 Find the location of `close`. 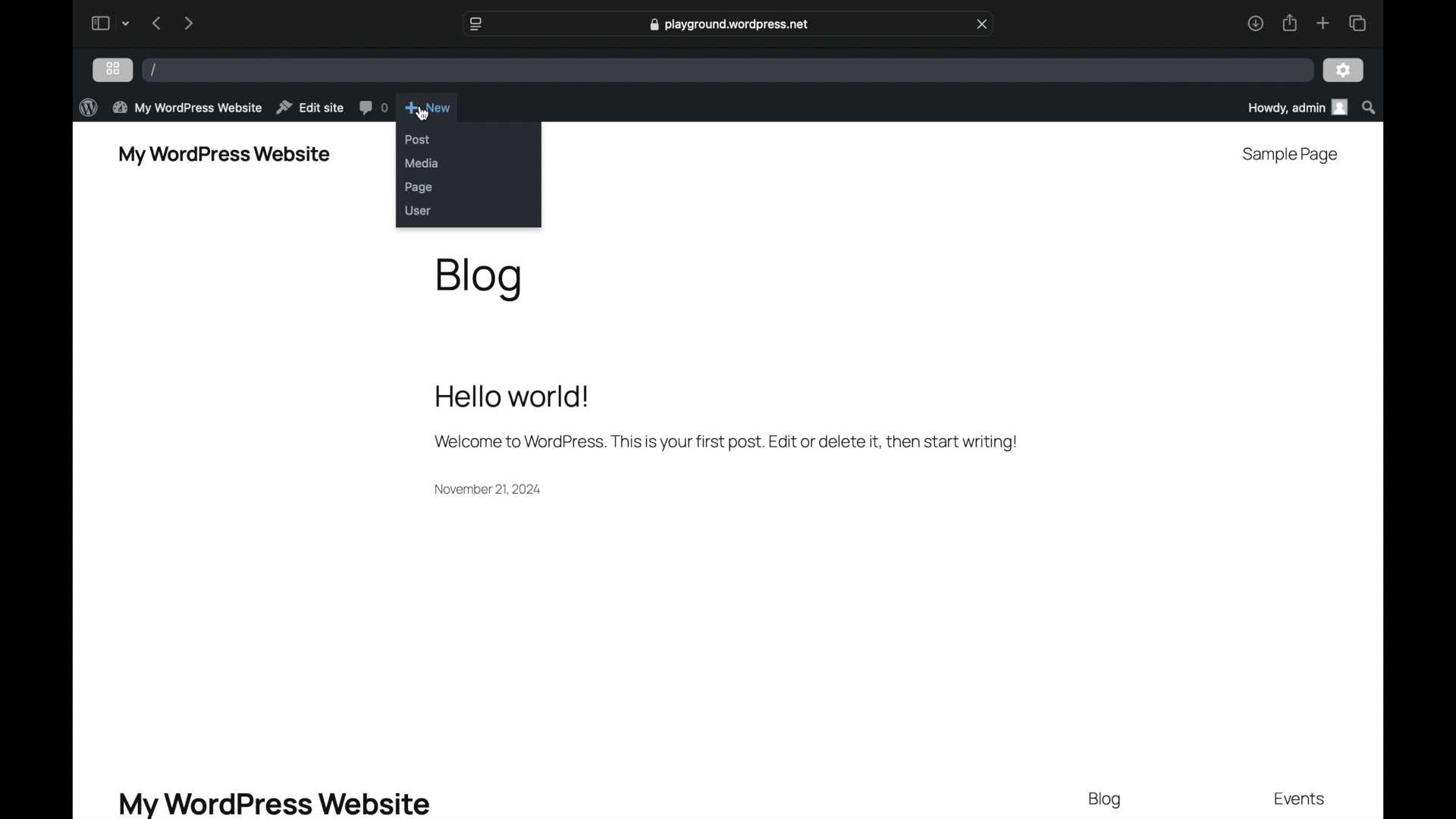

close is located at coordinates (983, 24).